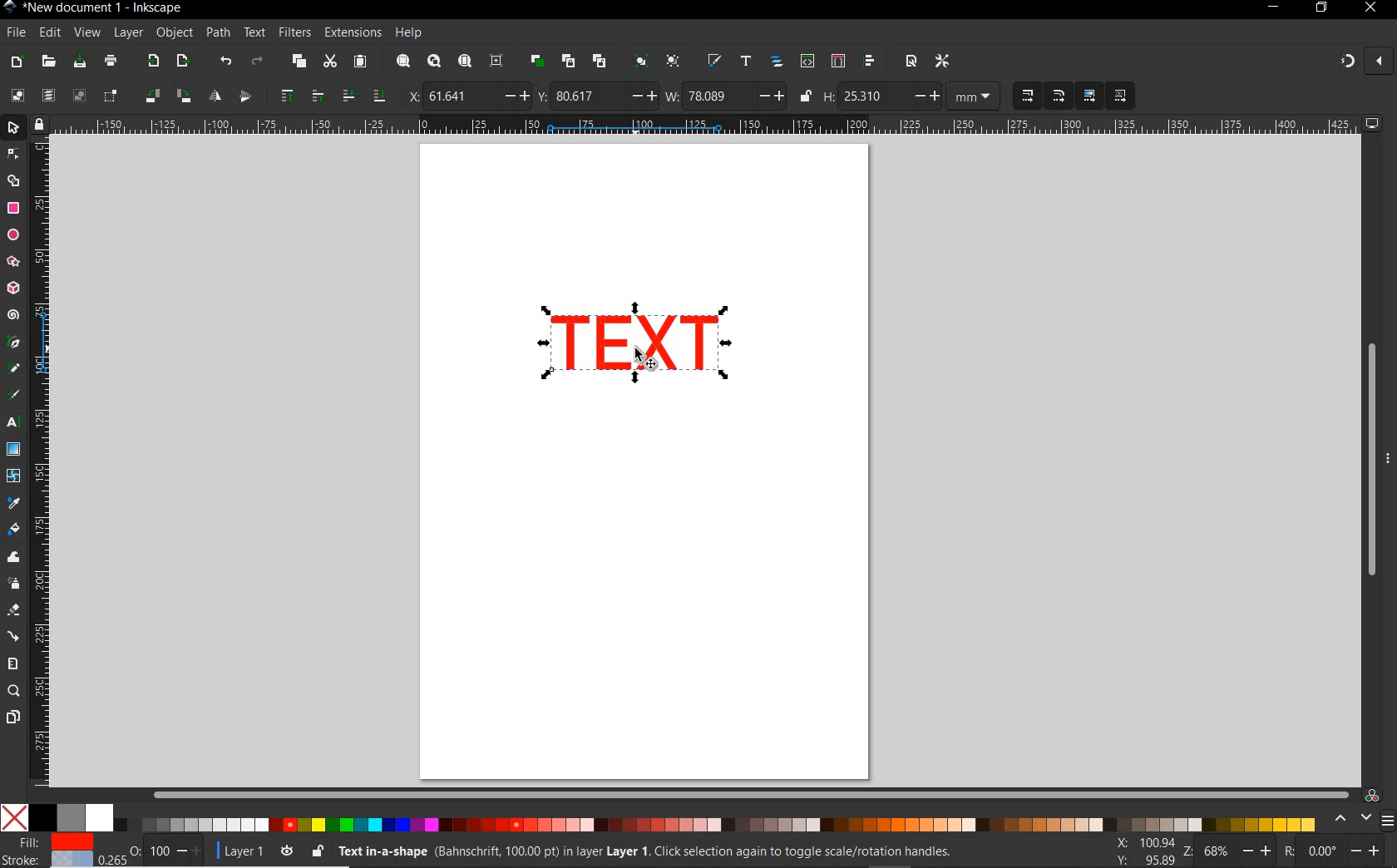  I want to click on ellipse tool, so click(12, 234).